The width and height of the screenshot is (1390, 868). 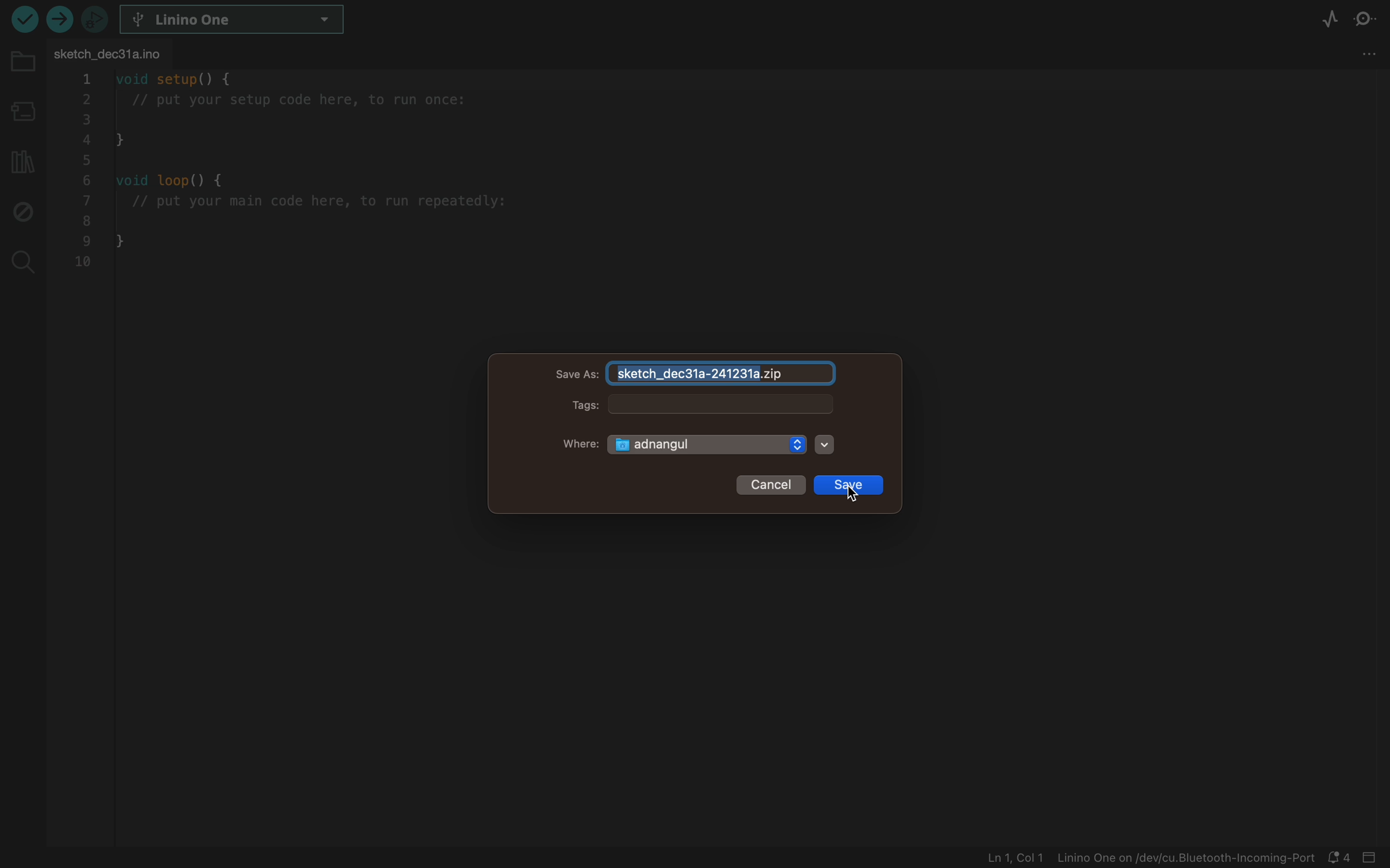 What do you see at coordinates (724, 373) in the screenshot?
I see `file` at bounding box center [724, 373].